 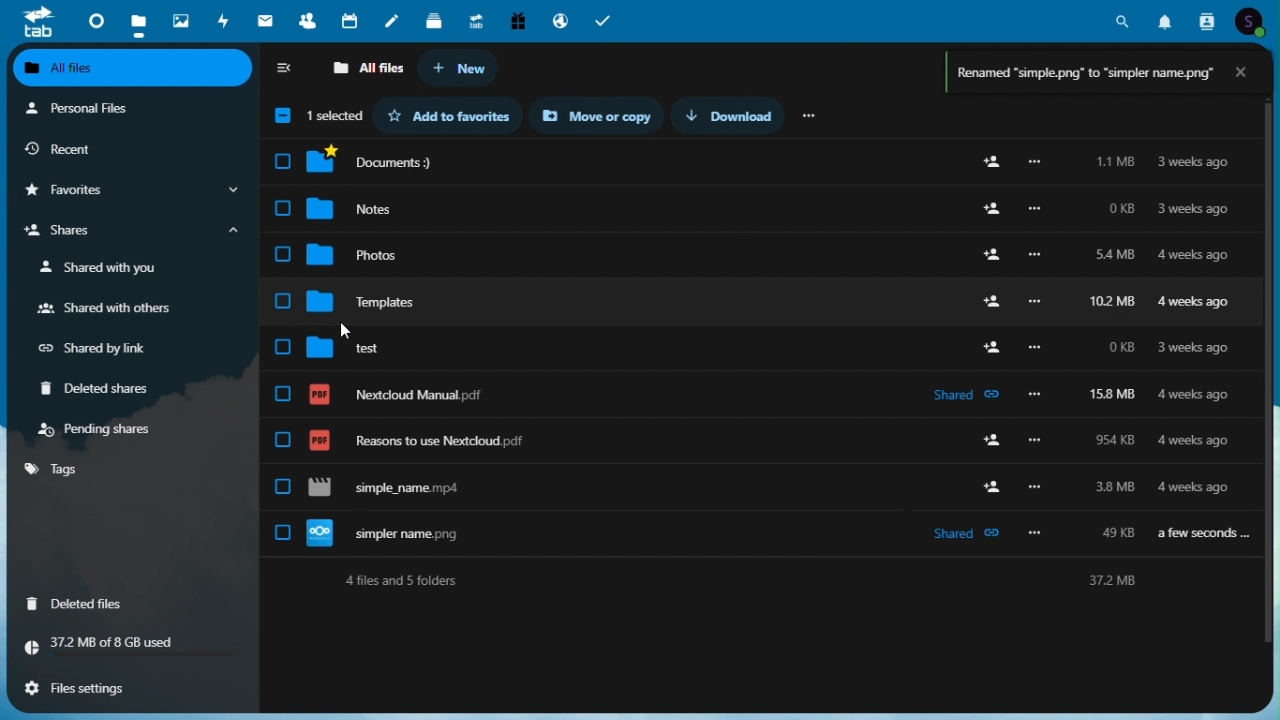 What do you see at coordinates (315, 118) in the screenshot?
I see `1 selected` at bounding box center [315, 118].